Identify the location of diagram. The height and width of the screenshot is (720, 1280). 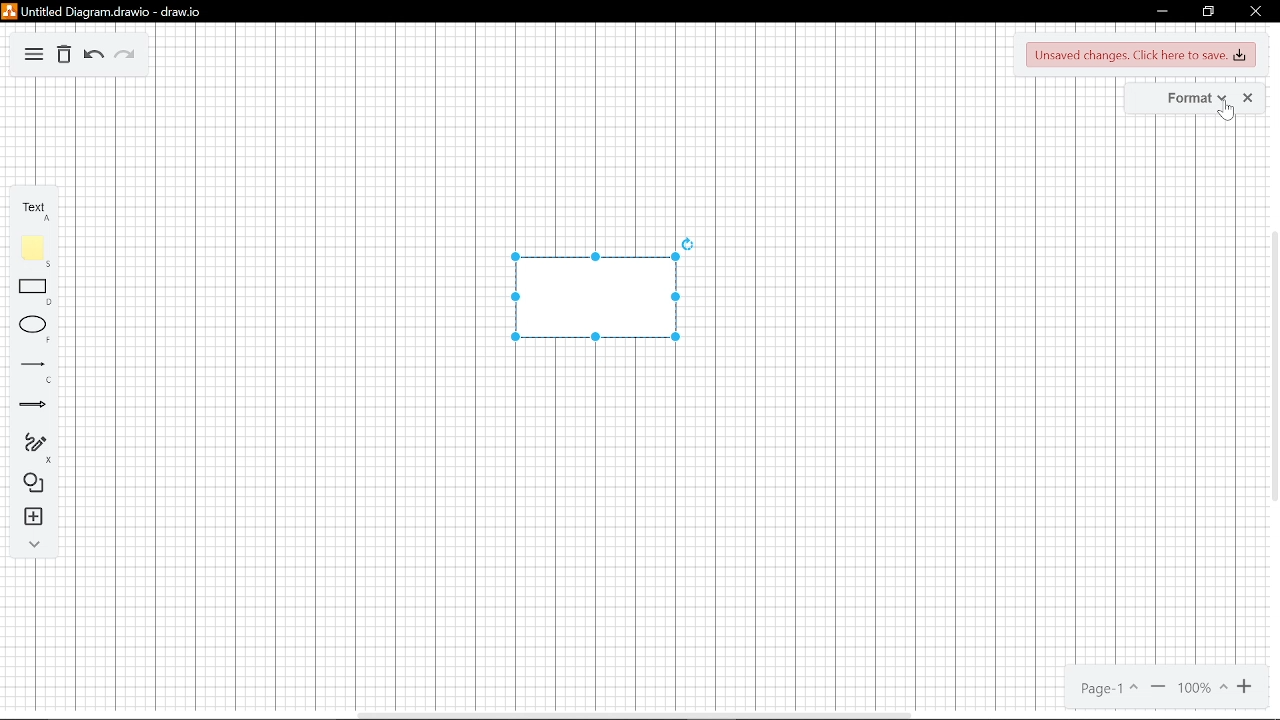
(594, 297).